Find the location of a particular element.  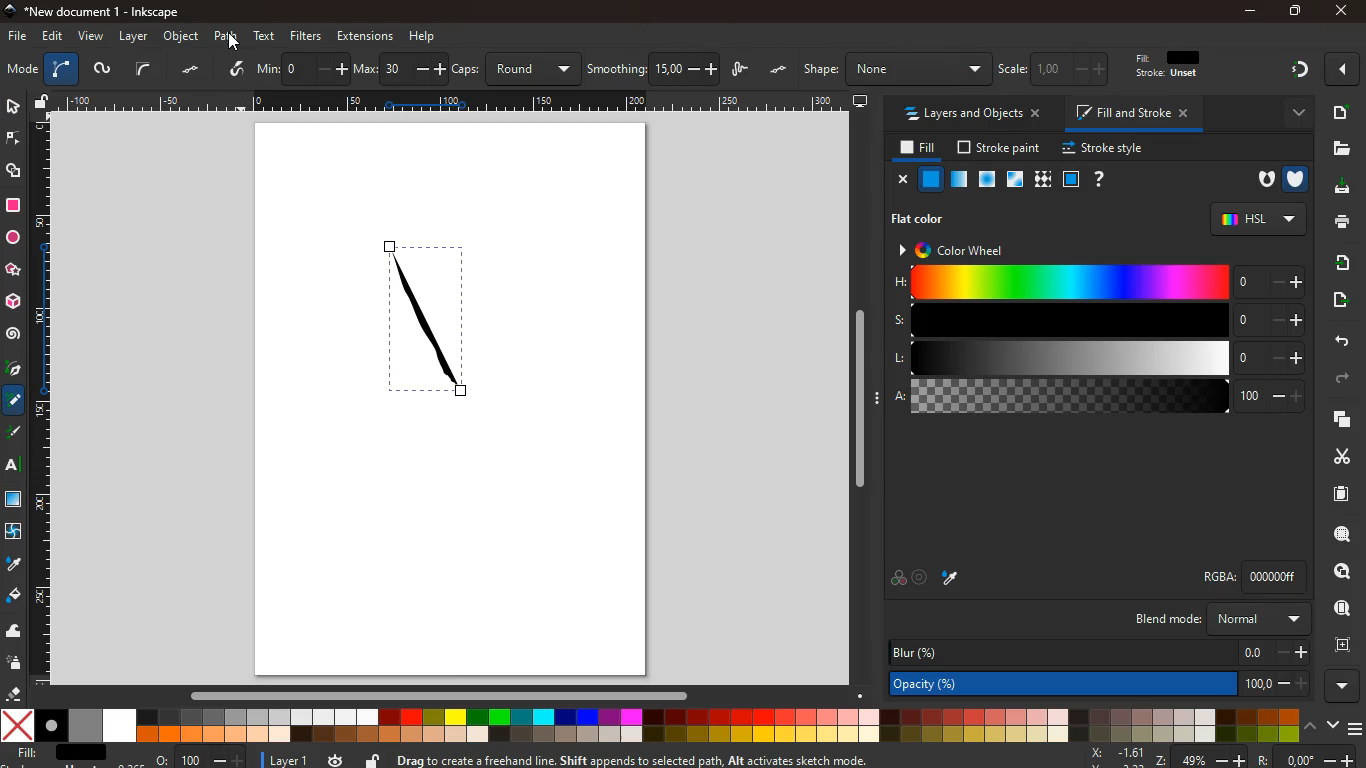

pick is located at coordinates (12, 370).